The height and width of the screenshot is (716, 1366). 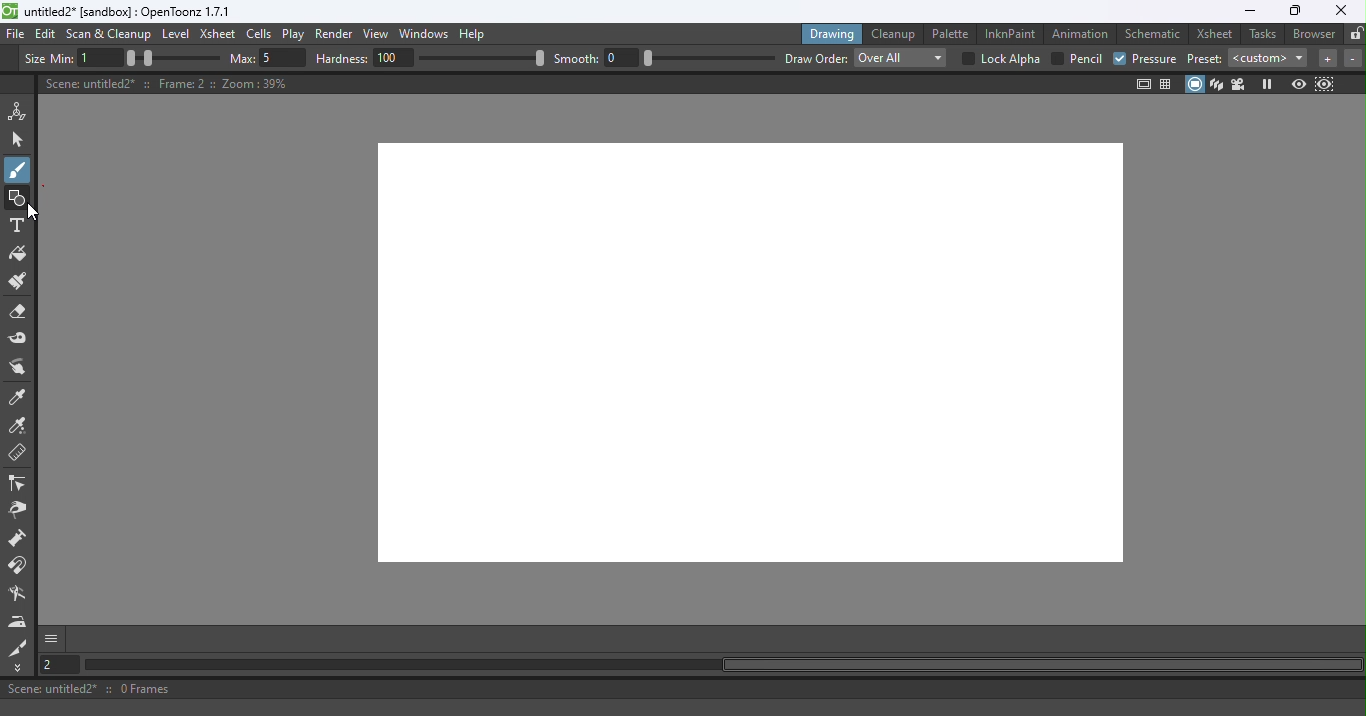 I want to click on Safe area, so click(x=1142, y=84).